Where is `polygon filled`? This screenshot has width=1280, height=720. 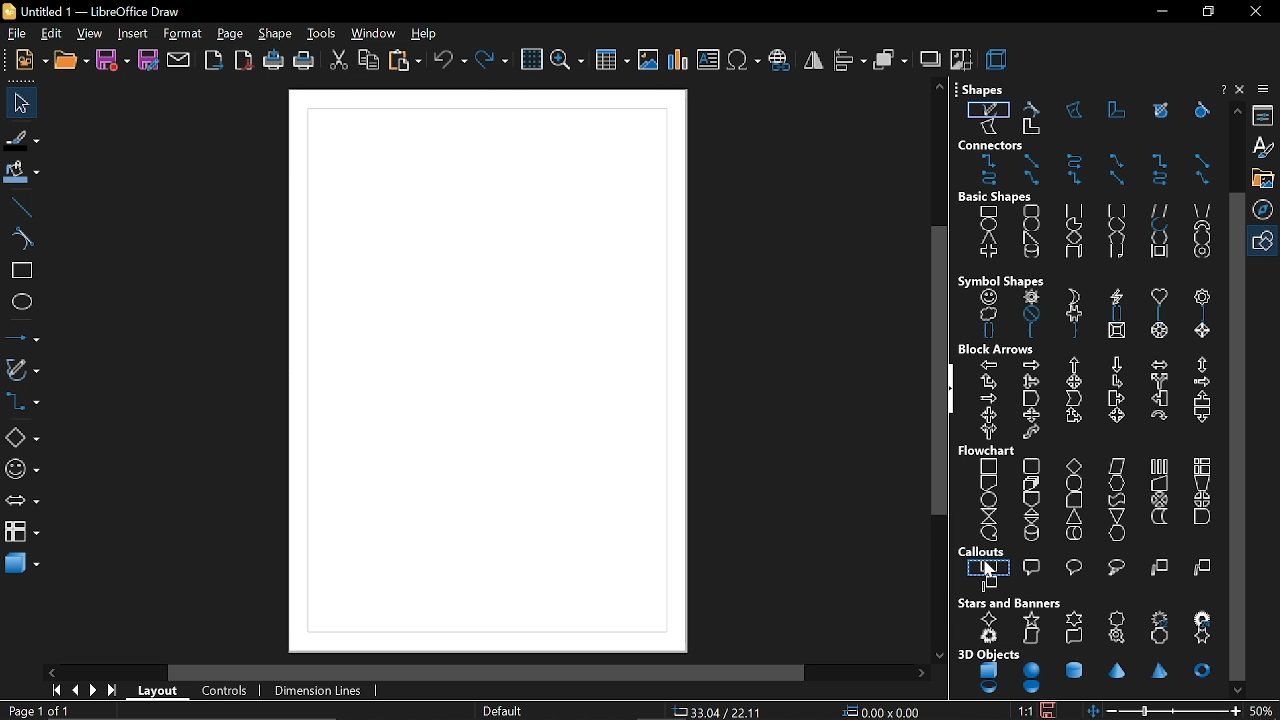
polygon filled is located at coordinates (989, 129).